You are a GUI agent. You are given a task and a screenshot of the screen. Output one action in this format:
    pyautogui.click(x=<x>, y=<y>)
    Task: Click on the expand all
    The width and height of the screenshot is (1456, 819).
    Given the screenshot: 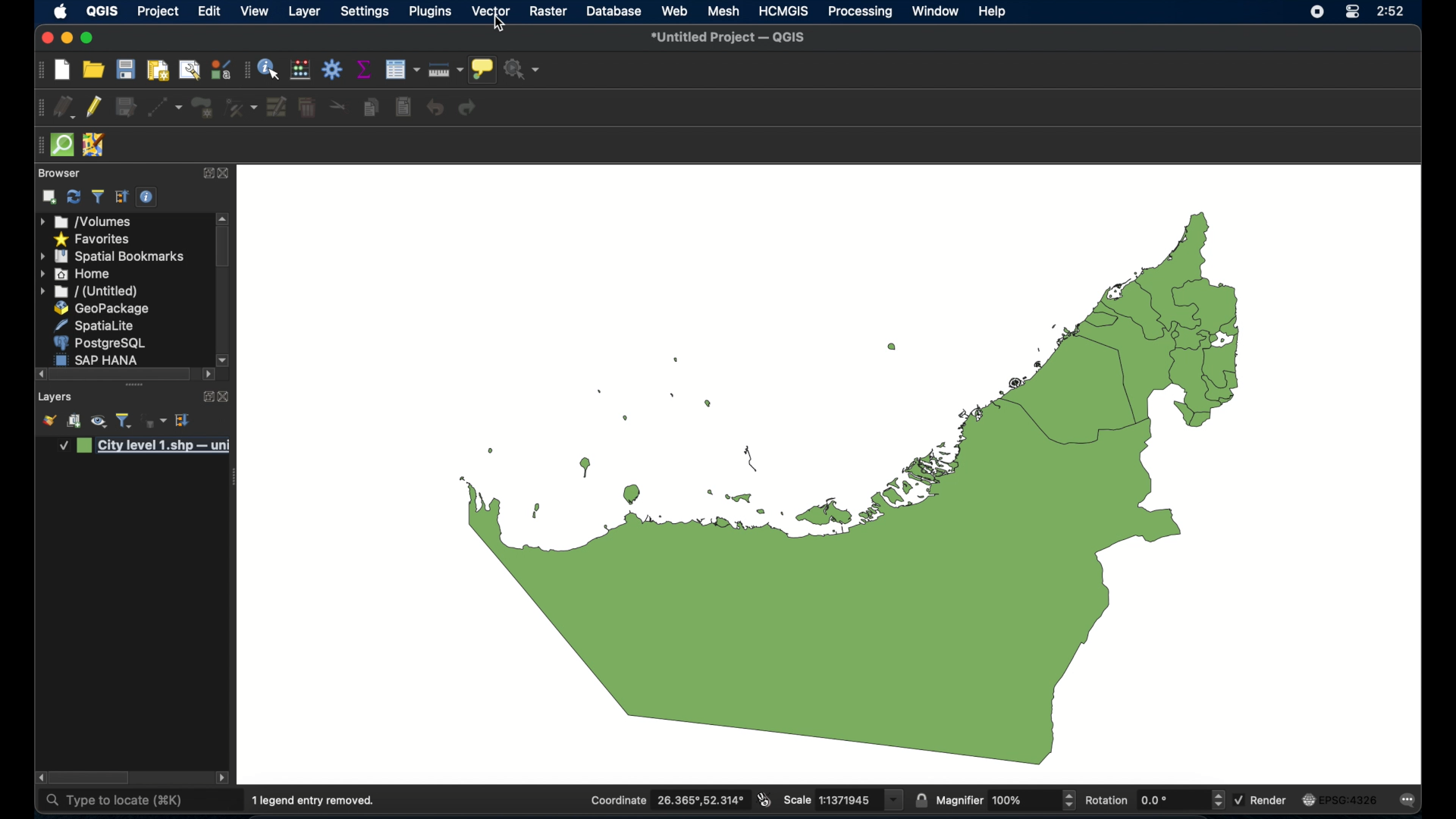 What is the action you would take?
    pyautogui.click(x=184, y=420)
    